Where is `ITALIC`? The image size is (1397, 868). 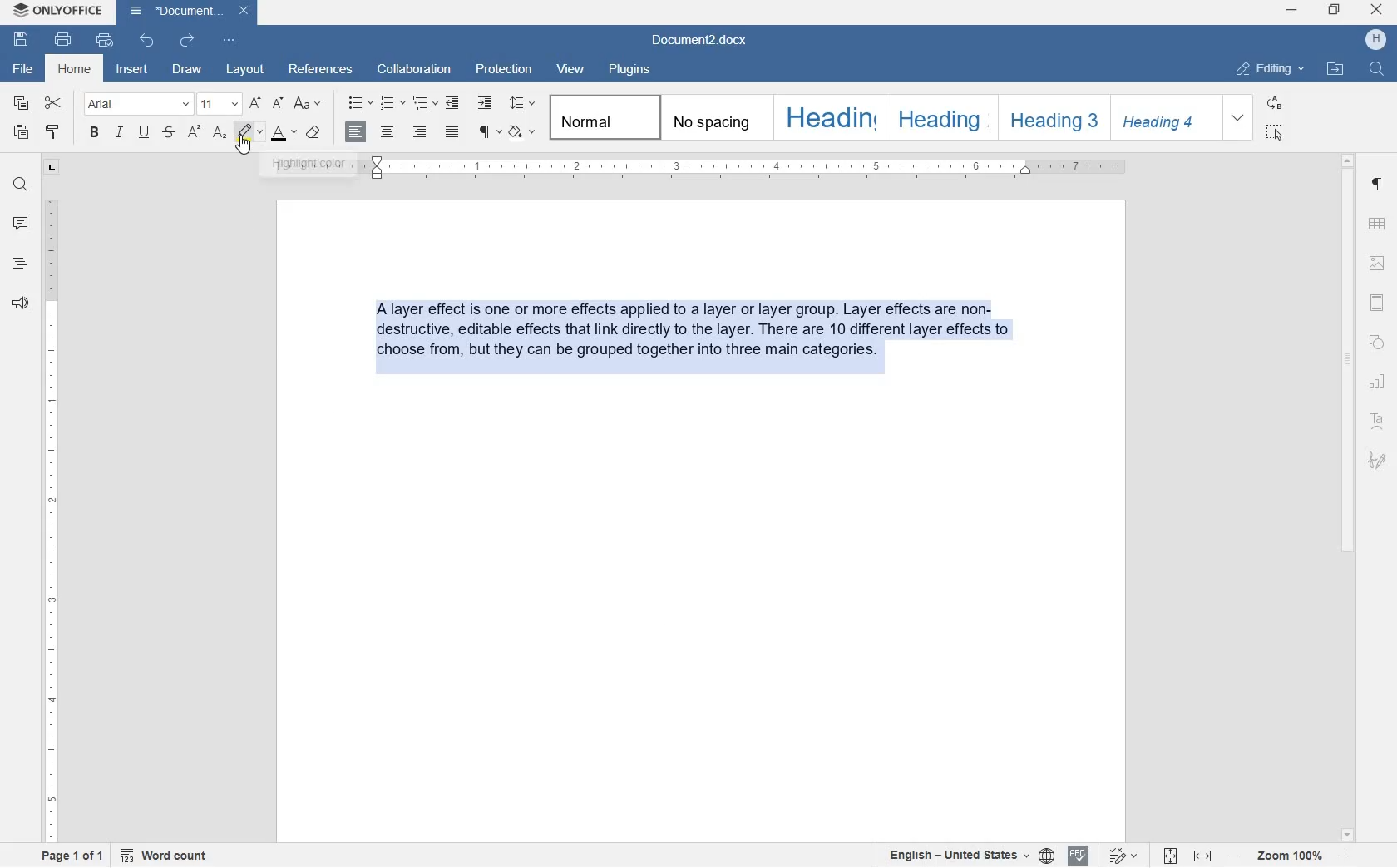 ITALIC is located at coordinates (119, 132).